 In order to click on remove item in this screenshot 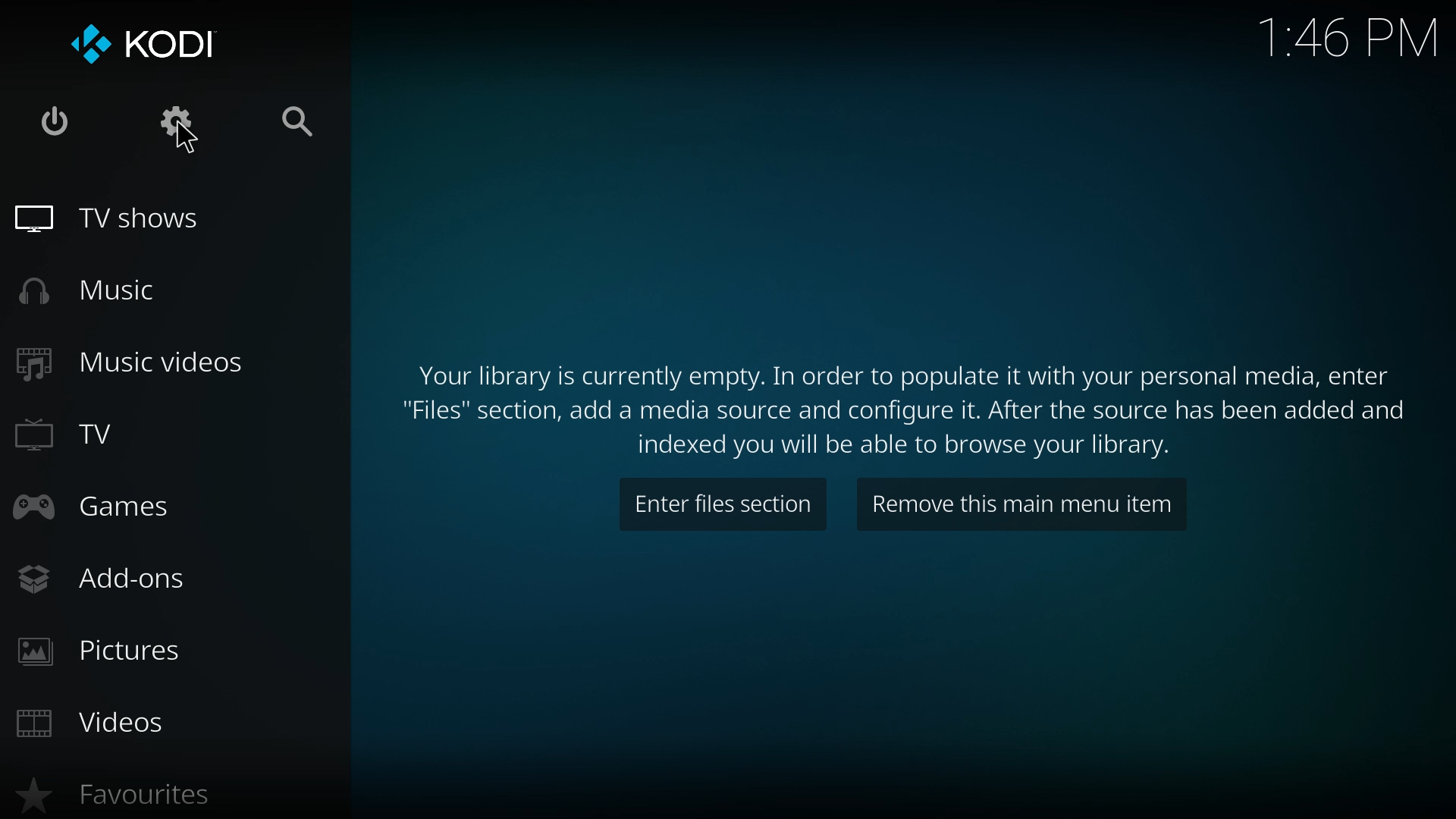, I will do `click(1025, 507)`.